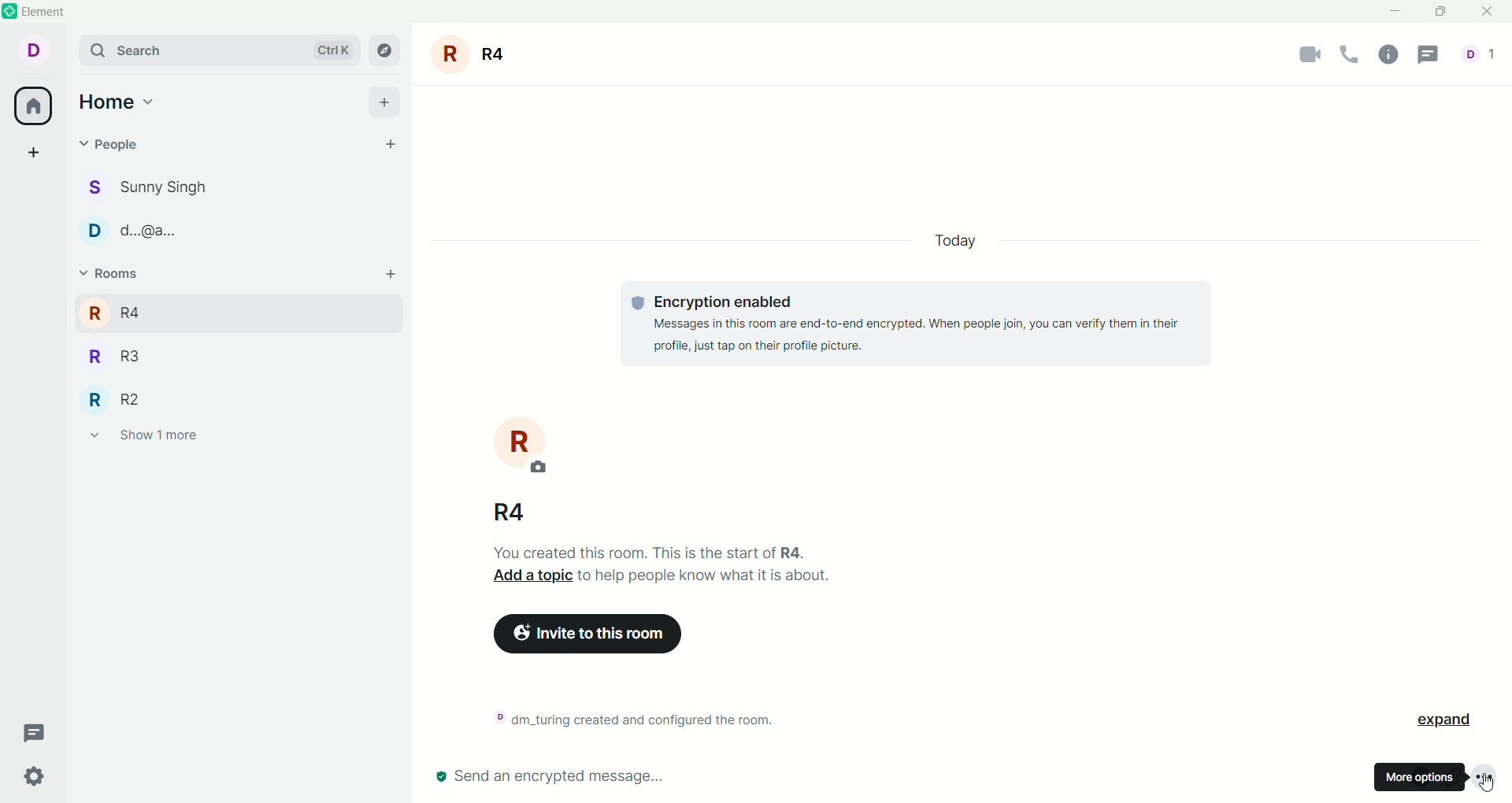 The height and width of the screenshot is (803, 1512). I want to click on account, so click(39, 52).